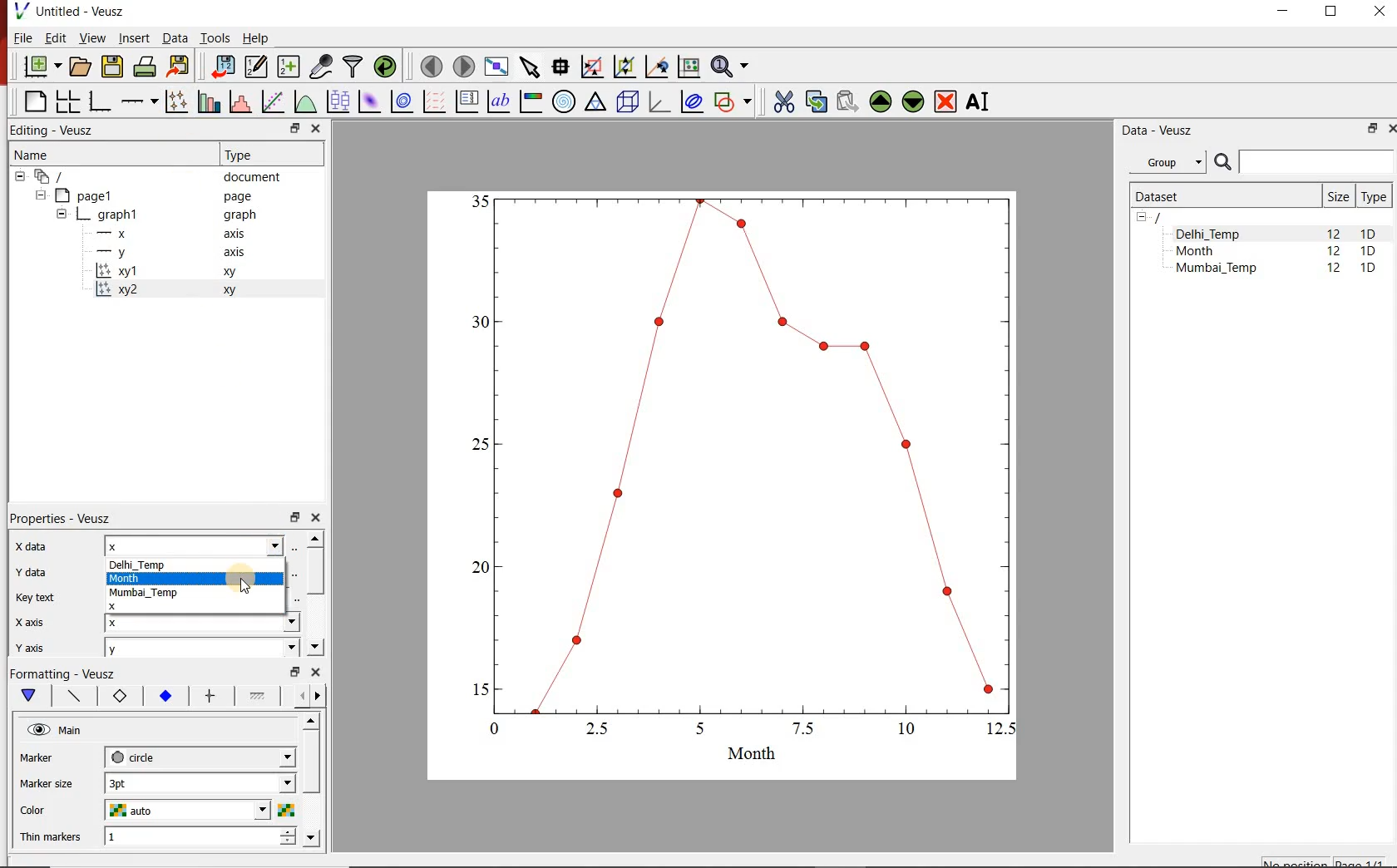 This screenshot has height=868, width=1397. I want to click on Type, so click(245, 155).